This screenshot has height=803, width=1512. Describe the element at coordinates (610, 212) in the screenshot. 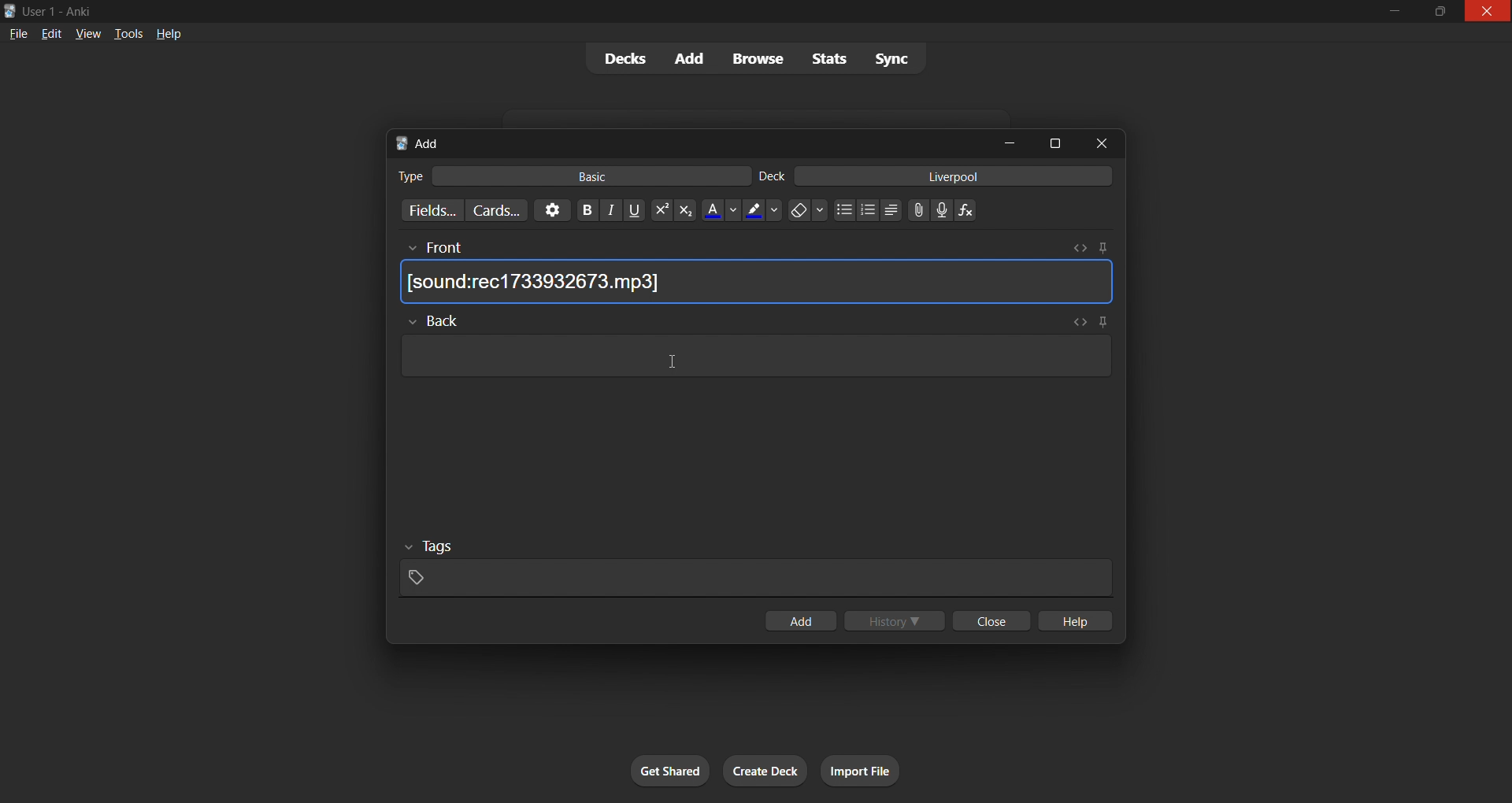

I see `italic` at that location.